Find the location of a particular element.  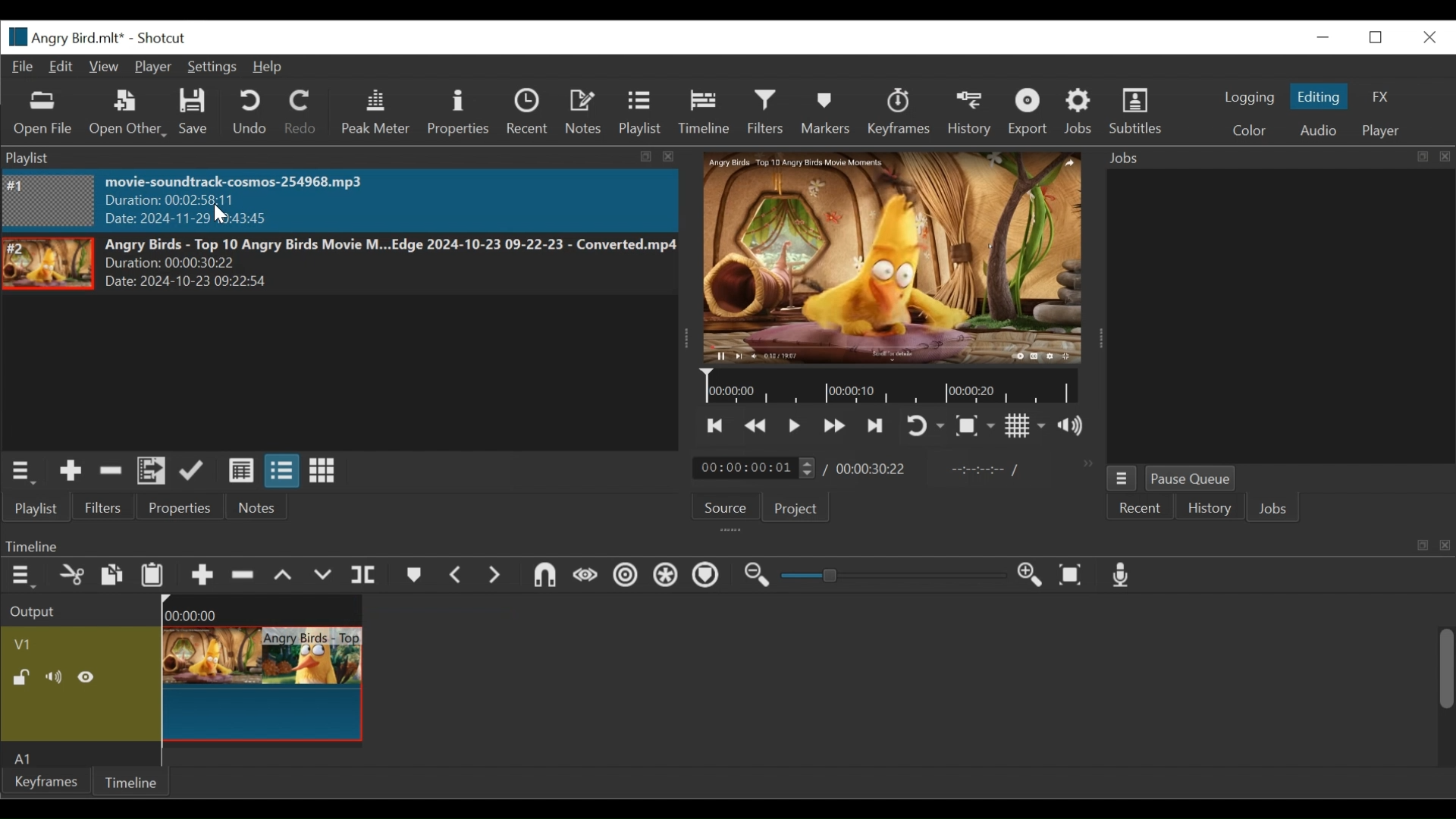

Project is located at coordinates (794, 508).